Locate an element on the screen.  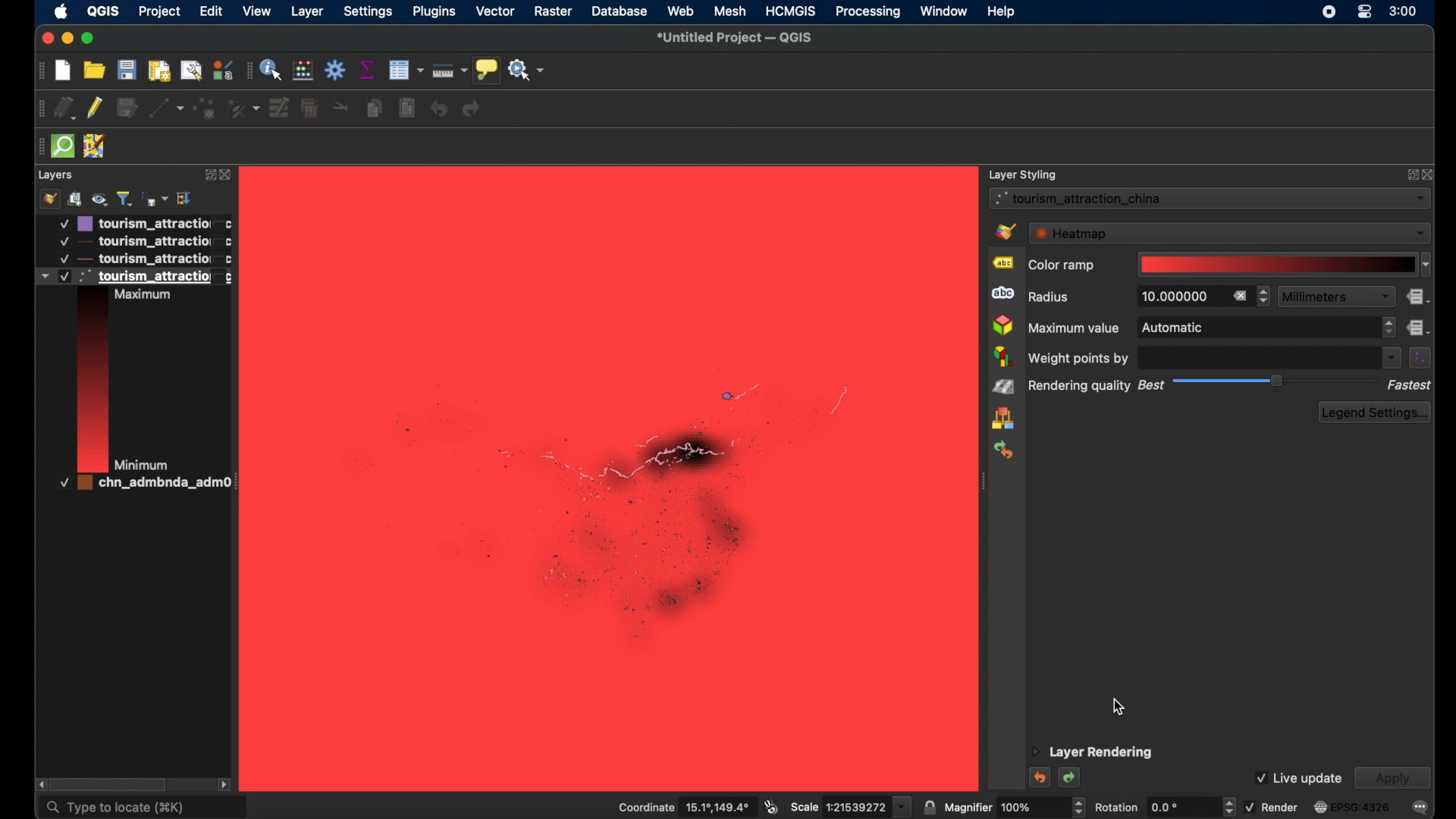
undo is located at coordinates (1038, 777).